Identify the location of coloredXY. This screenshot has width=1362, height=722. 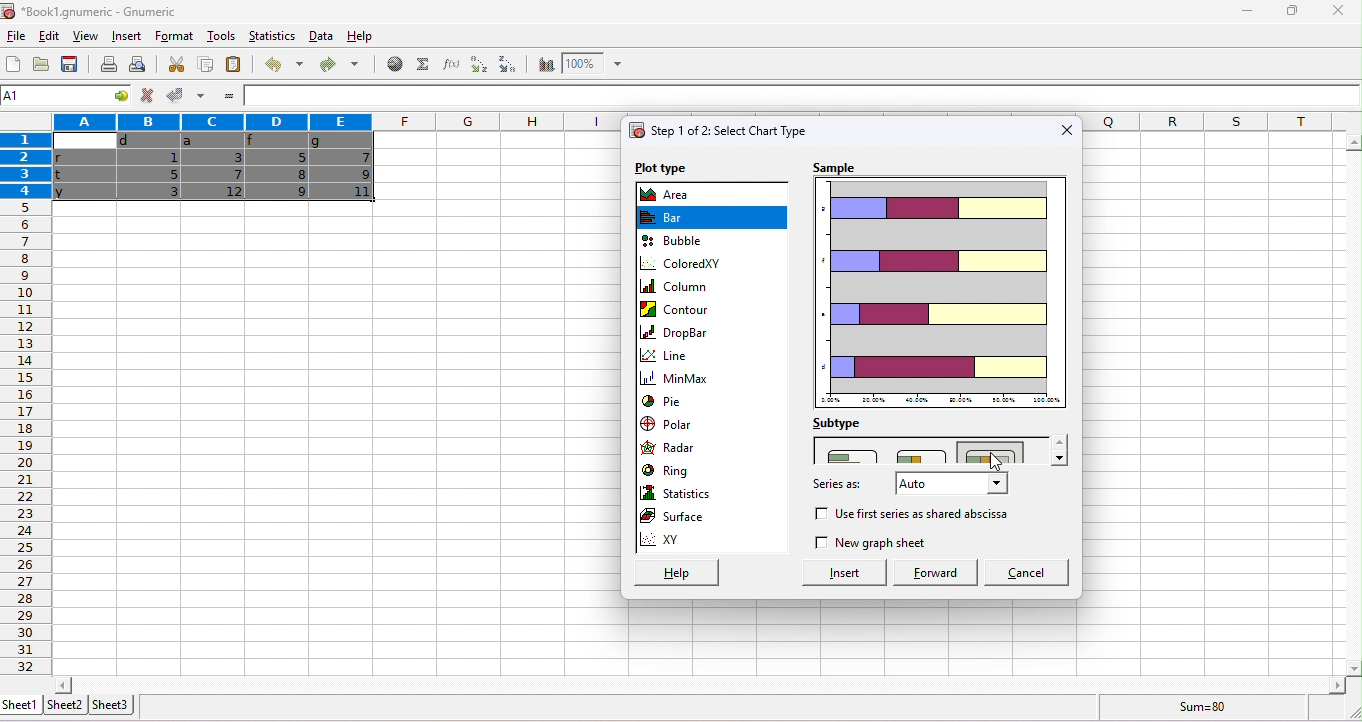
(684, 263).